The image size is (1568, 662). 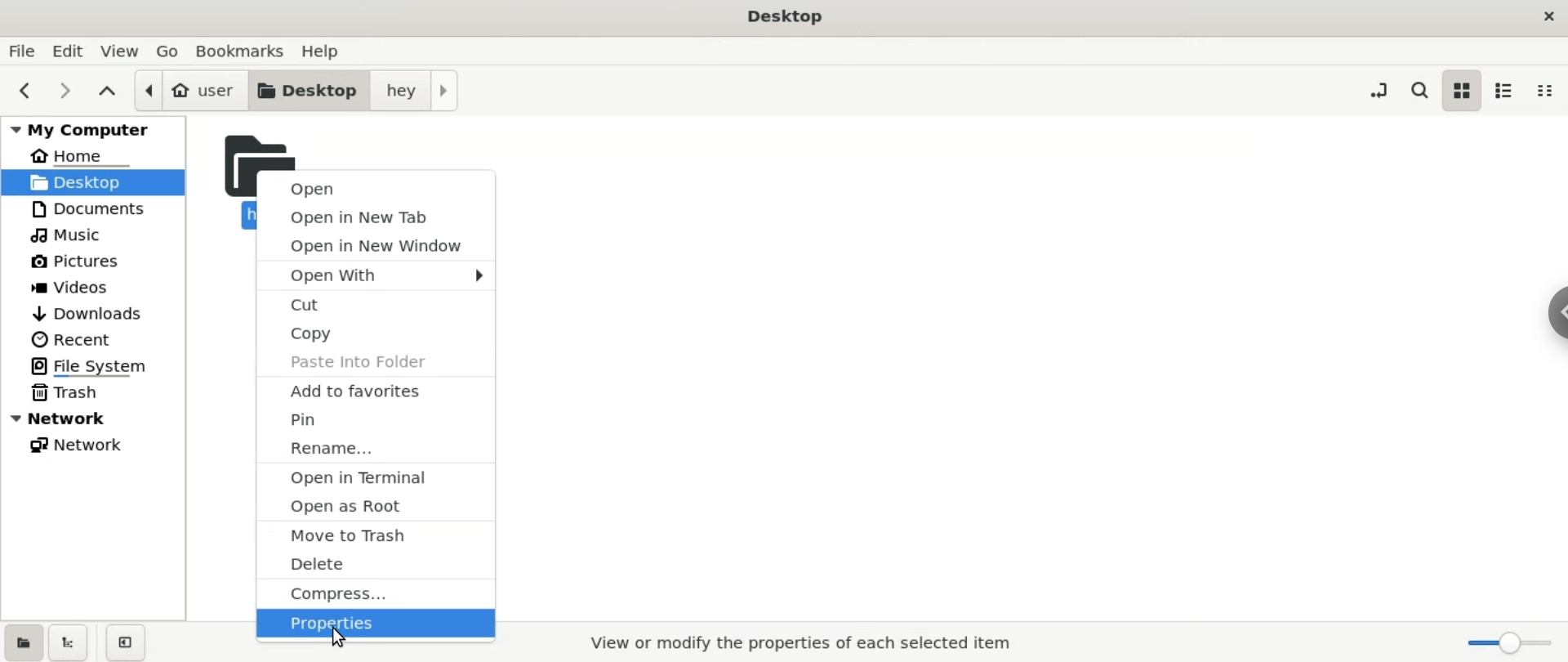 I want to click on bookmarks, so click(x=247, y=51).